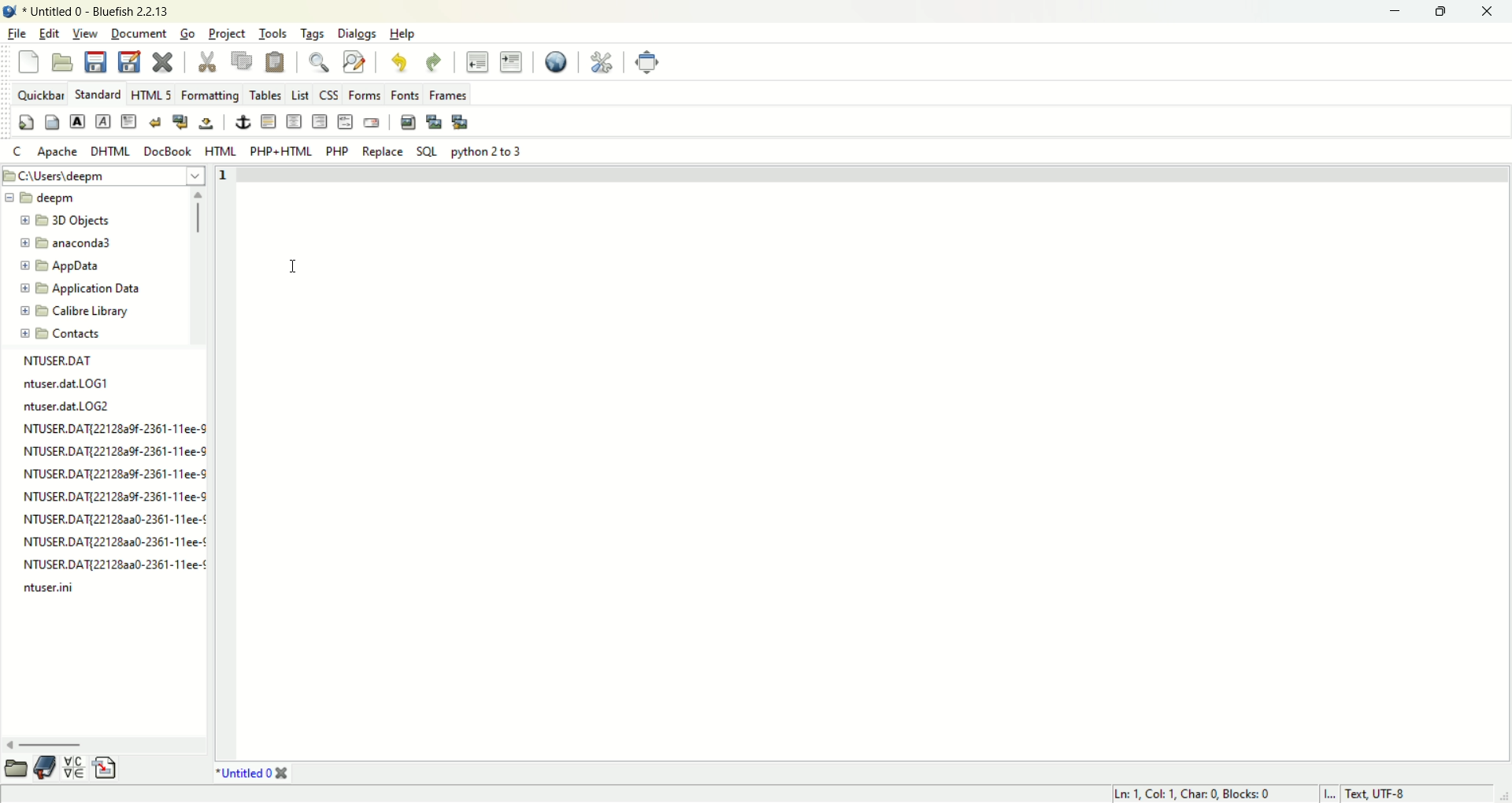 Image resolution: width=1512 pixels, height=803 pixels. Describe the element at coordinates (86, 35) in the screenshot. I see `view` at that location.